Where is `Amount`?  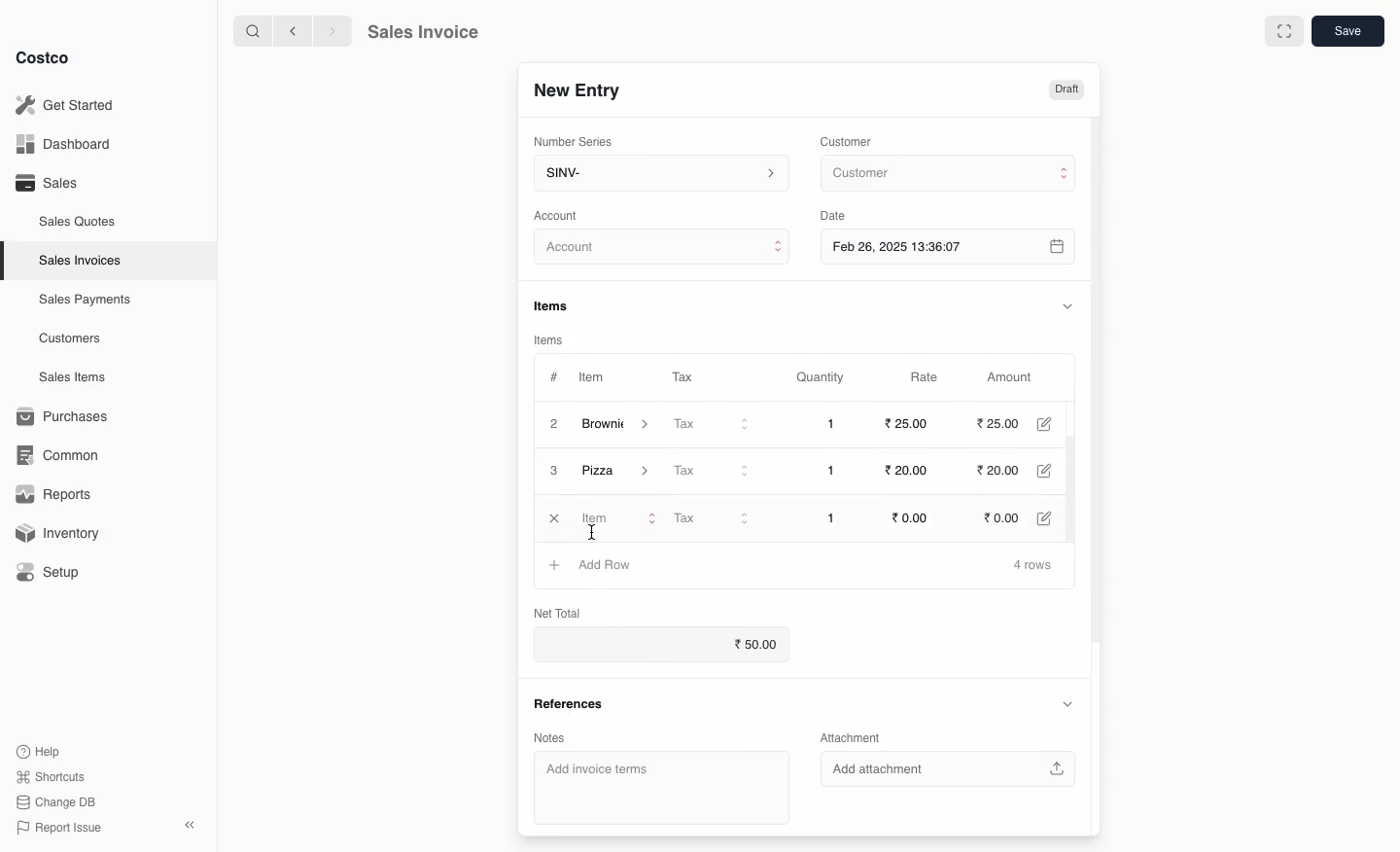
Amount is located at coordinates (1015, 377).